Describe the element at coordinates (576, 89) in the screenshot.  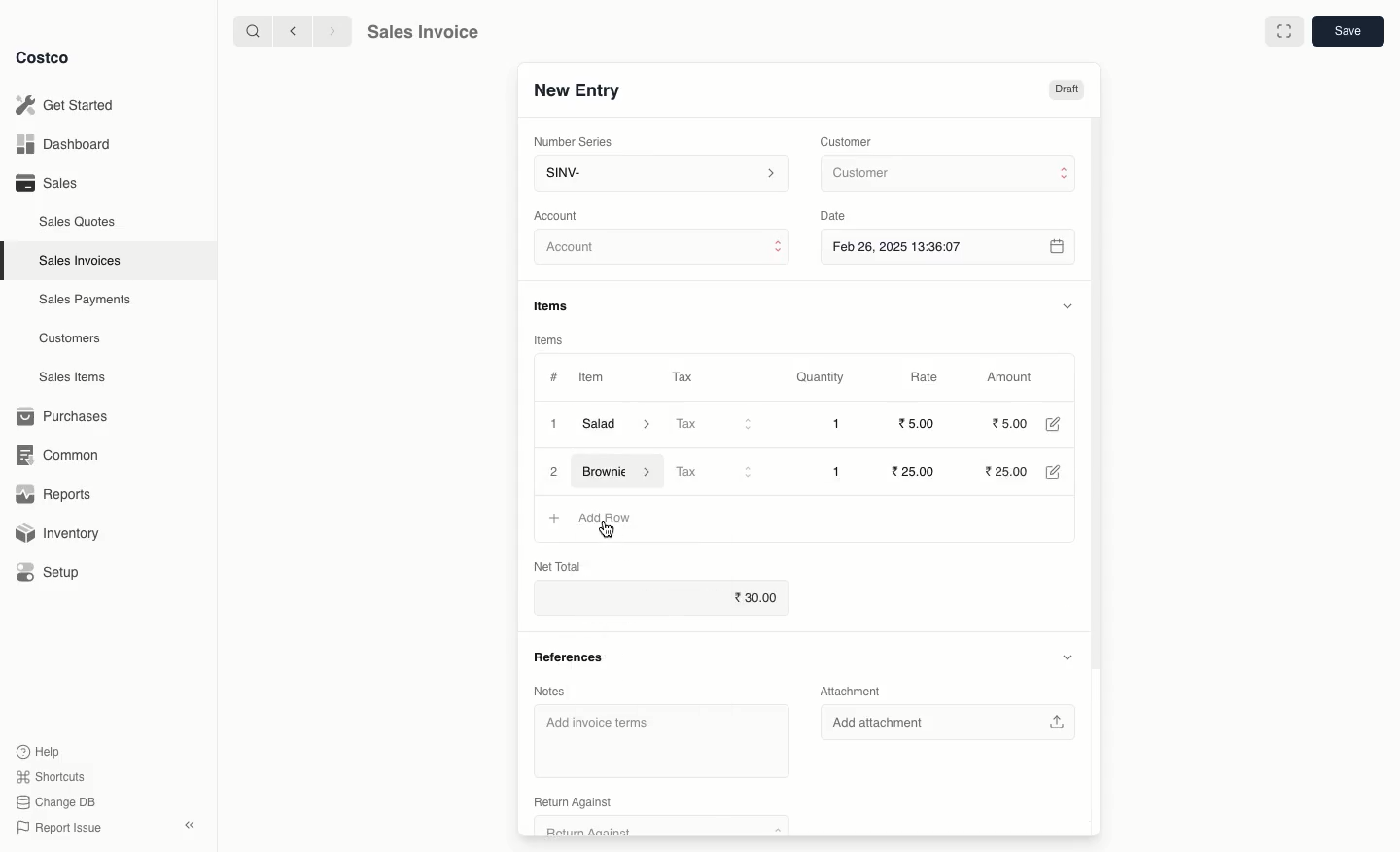
I see `New Entry` at that location.